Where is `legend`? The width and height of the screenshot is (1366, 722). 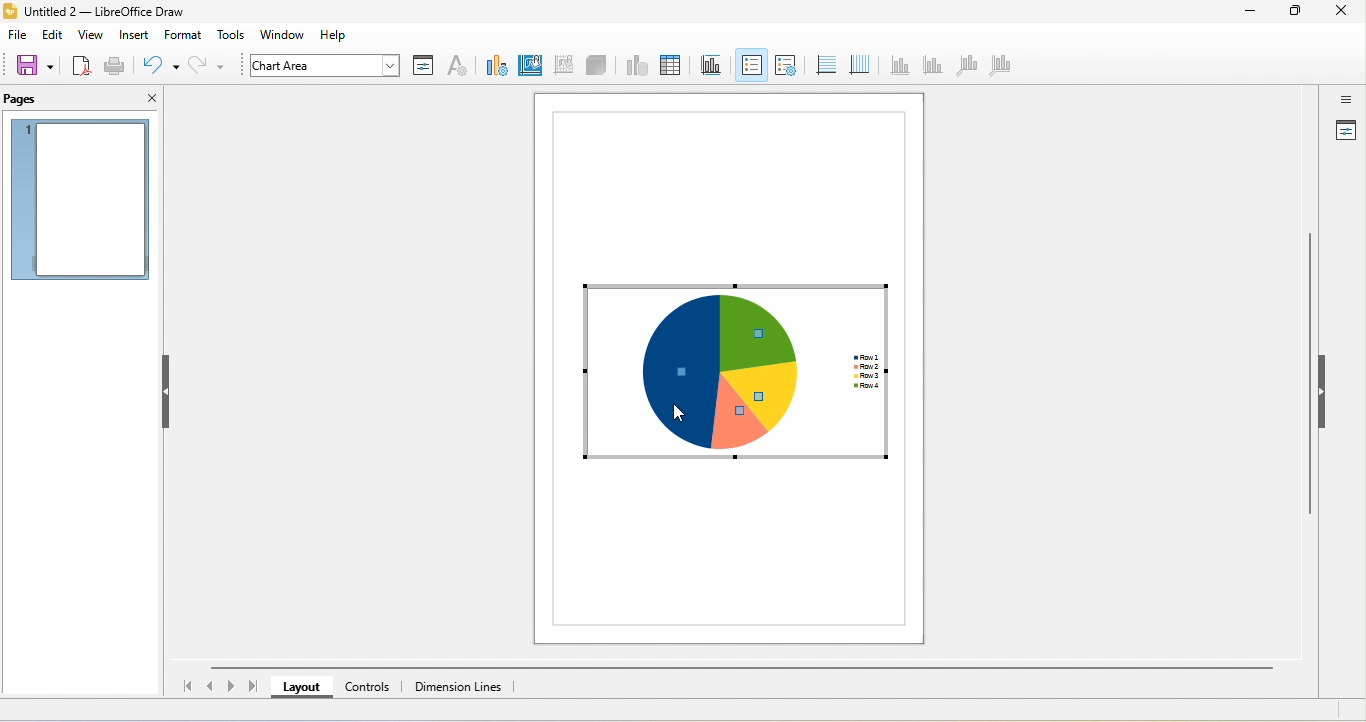 legend is located at coordinates (785, 64).